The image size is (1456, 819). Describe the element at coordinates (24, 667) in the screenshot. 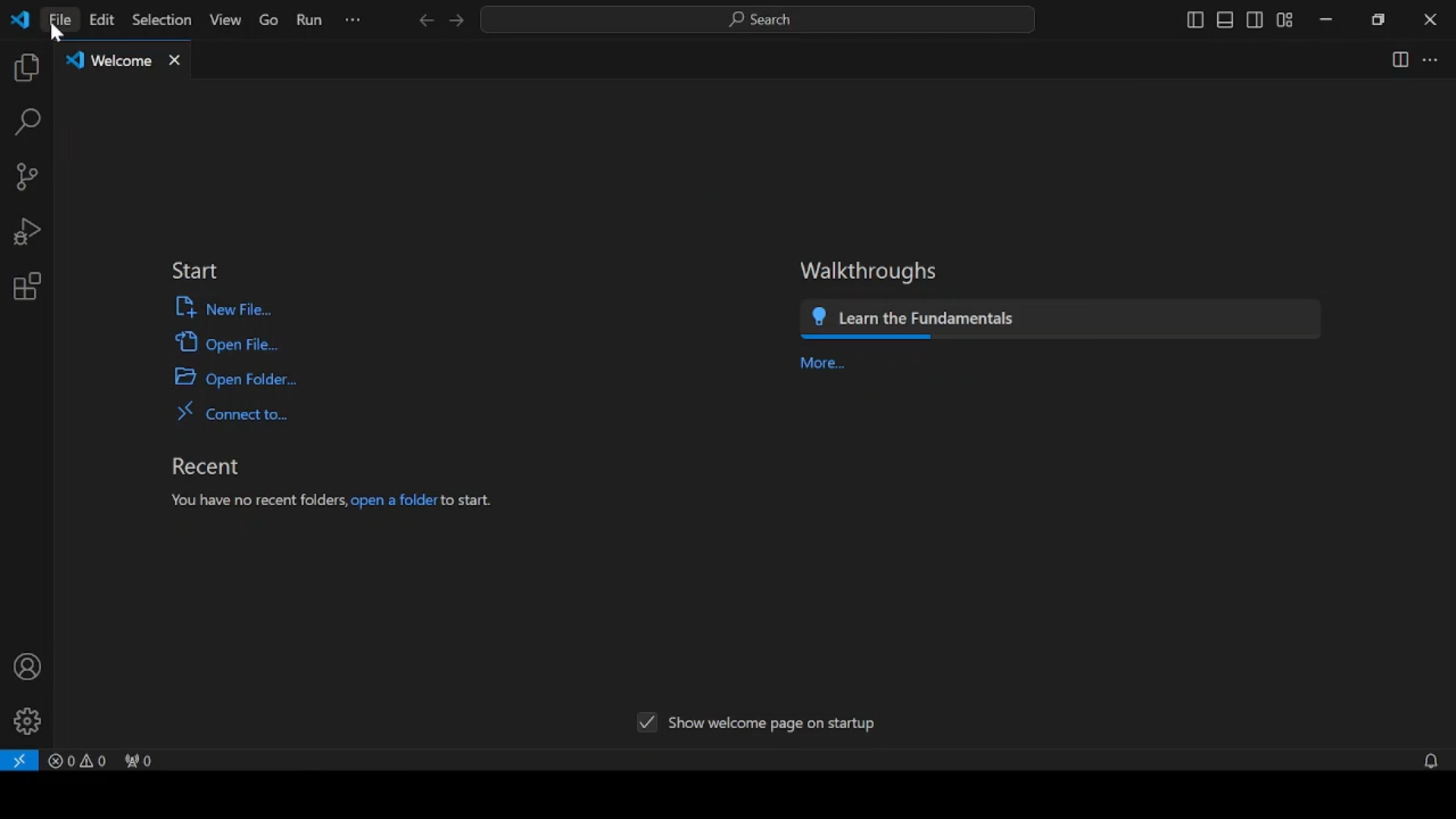

I see `accounts` at that location.